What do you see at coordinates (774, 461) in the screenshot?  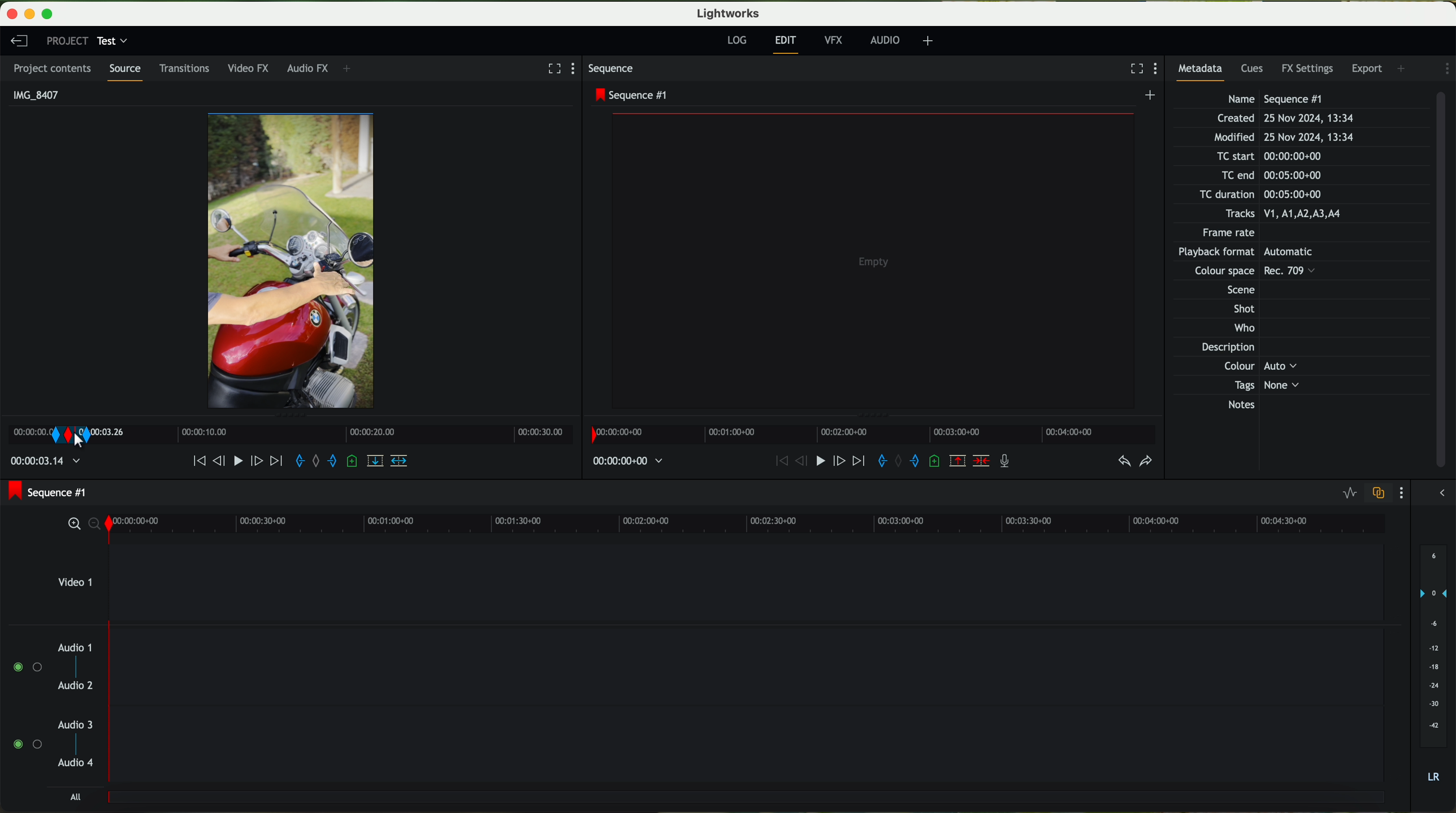 I see `move backward` at bounding box center [774, 461].